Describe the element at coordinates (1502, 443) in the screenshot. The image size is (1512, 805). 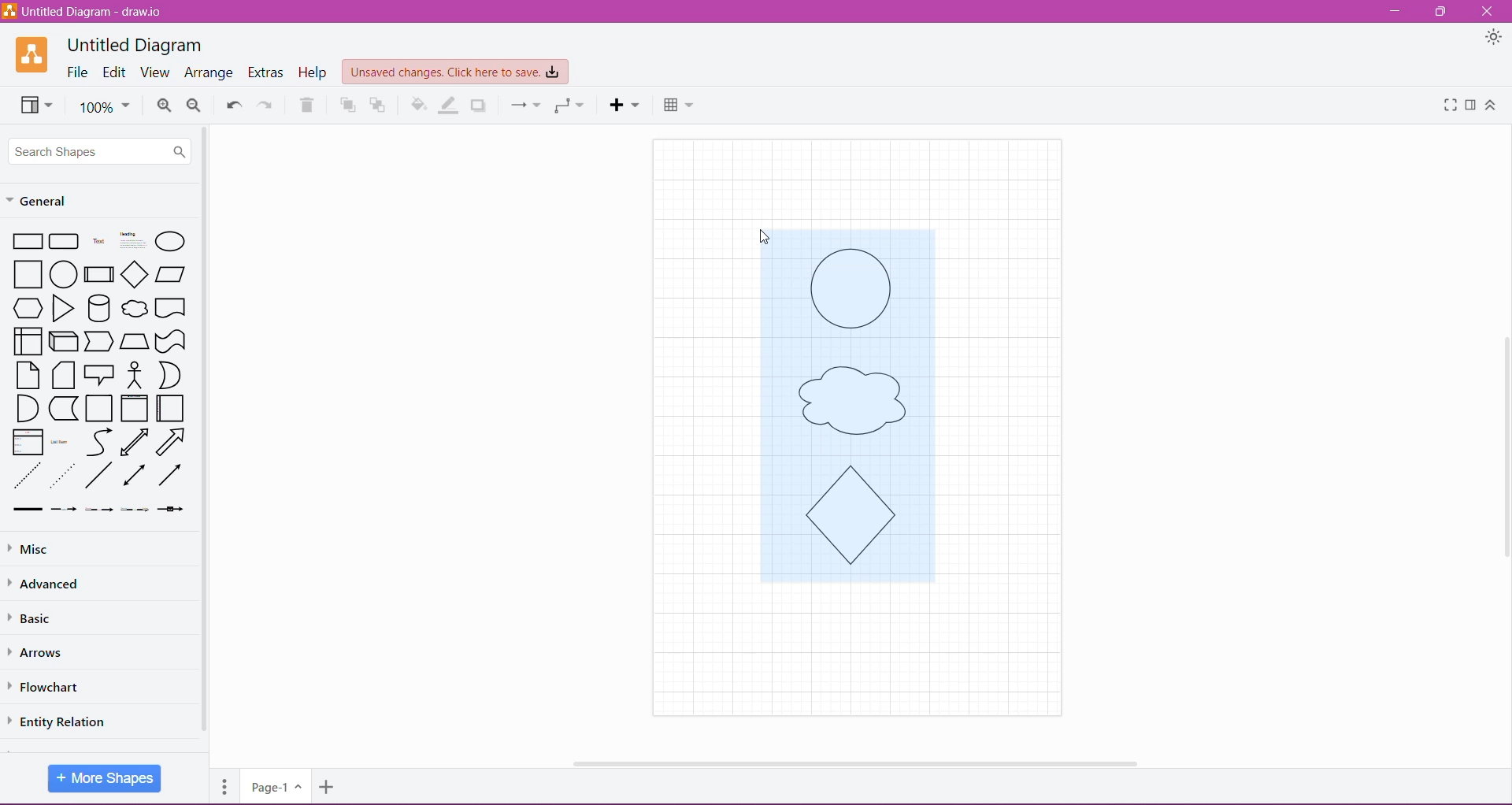
I see `Vertical Scroll Bar` at that location.